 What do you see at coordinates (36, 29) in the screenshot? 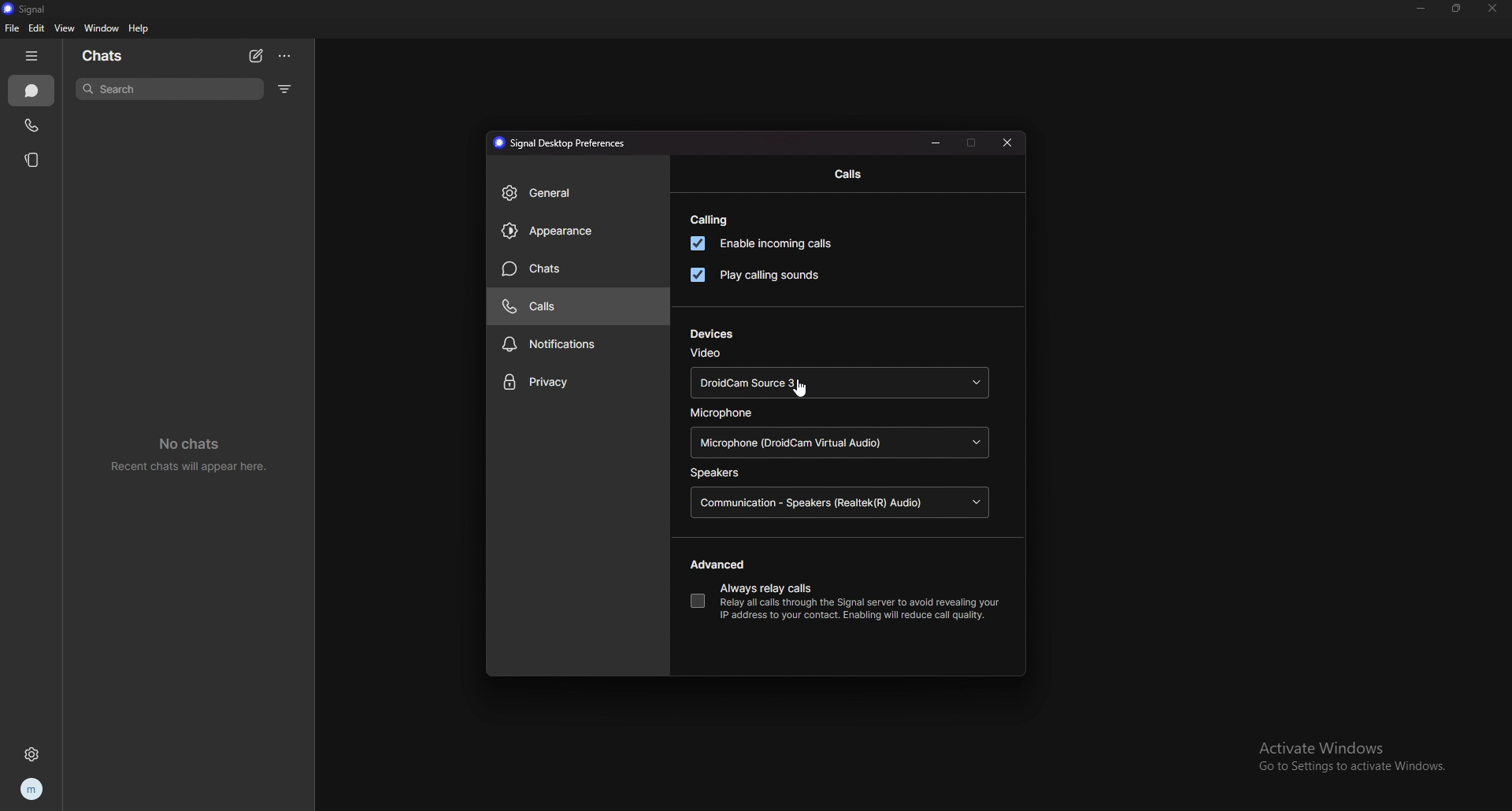
I see `edit` at bounding box center [36, 29].